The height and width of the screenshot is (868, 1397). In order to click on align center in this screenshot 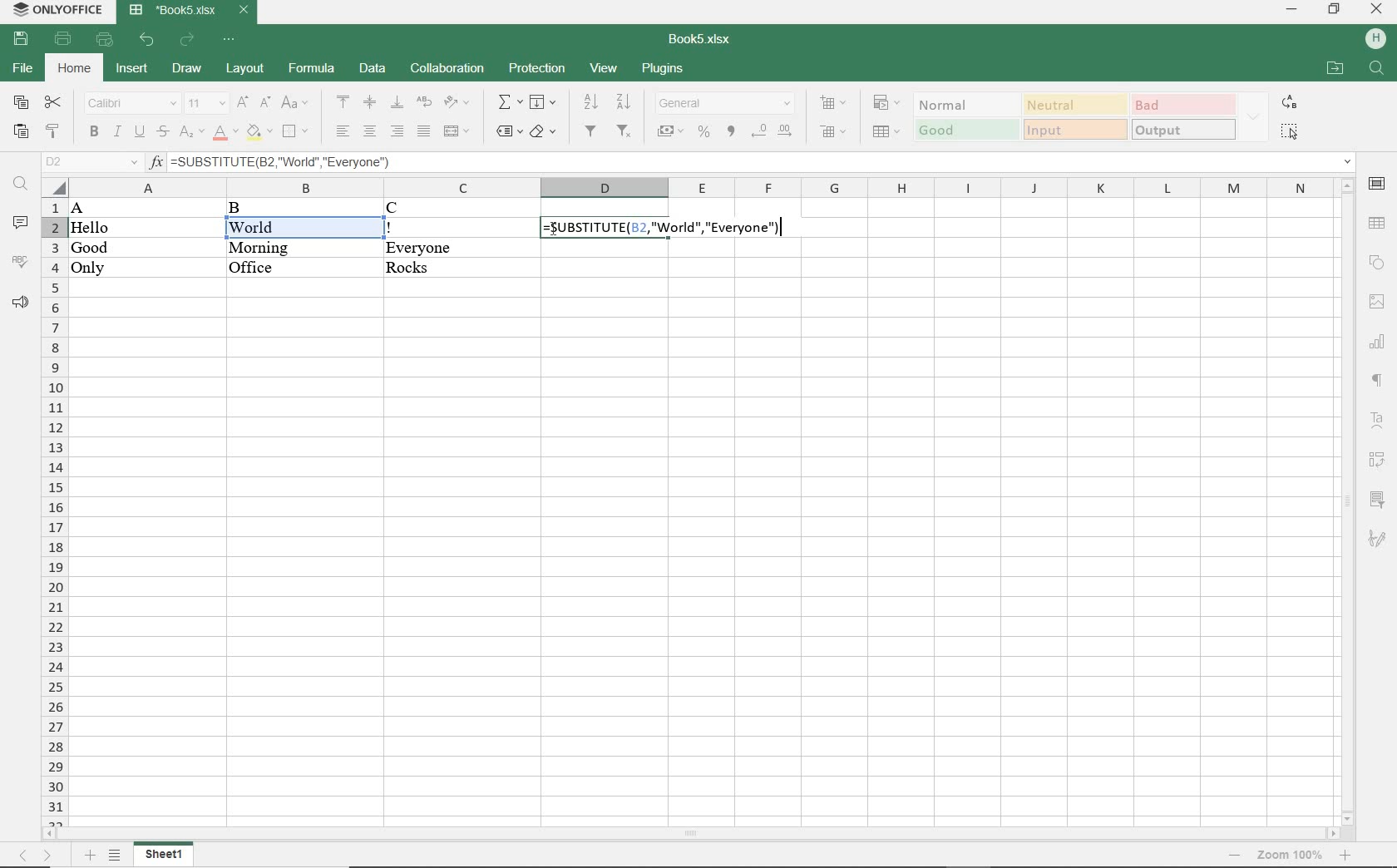, I will do `click(369, 131)`.